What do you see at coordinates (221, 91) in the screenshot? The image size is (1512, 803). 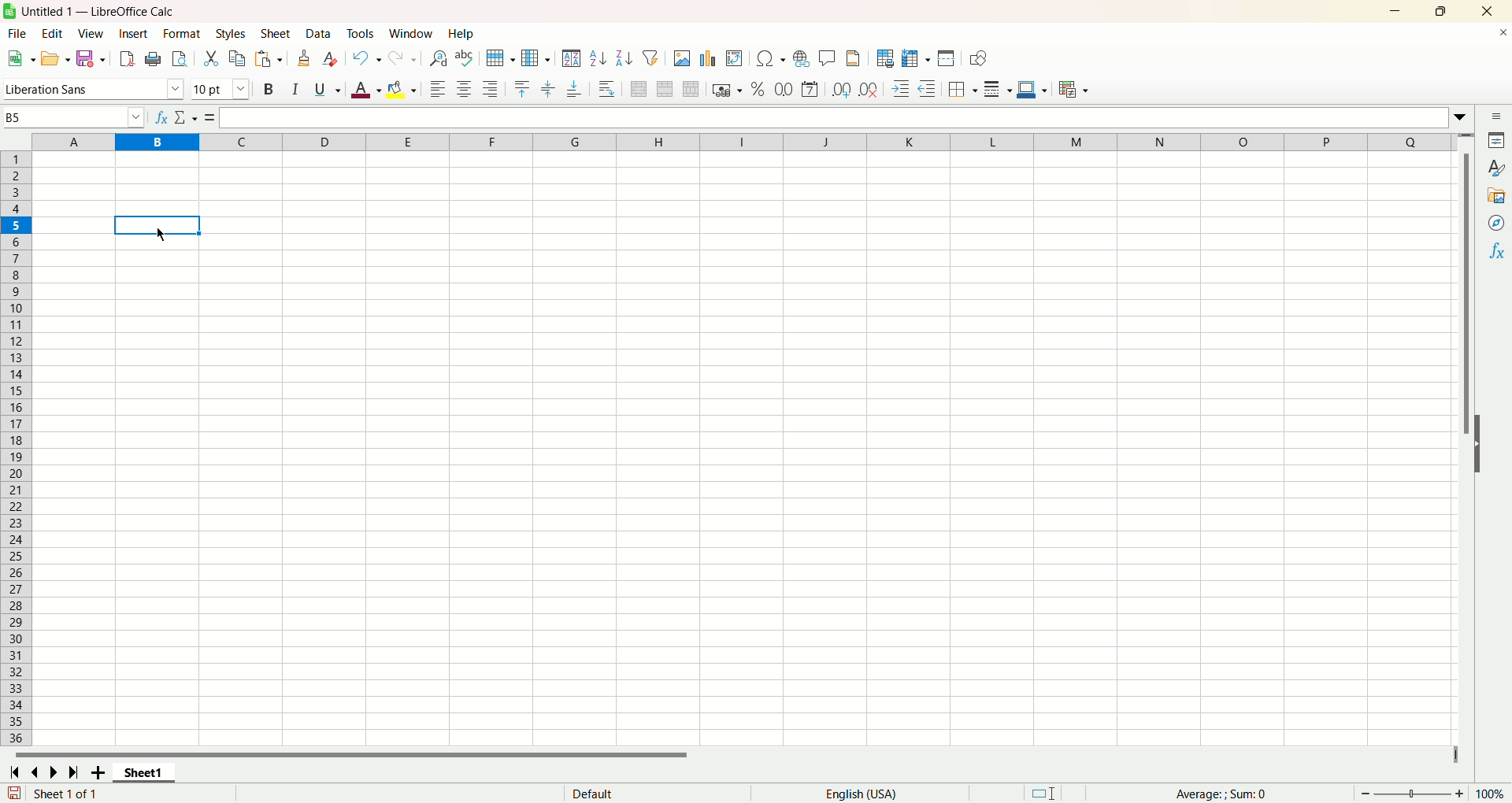 I see `font size` at bounding box center [221, 91].